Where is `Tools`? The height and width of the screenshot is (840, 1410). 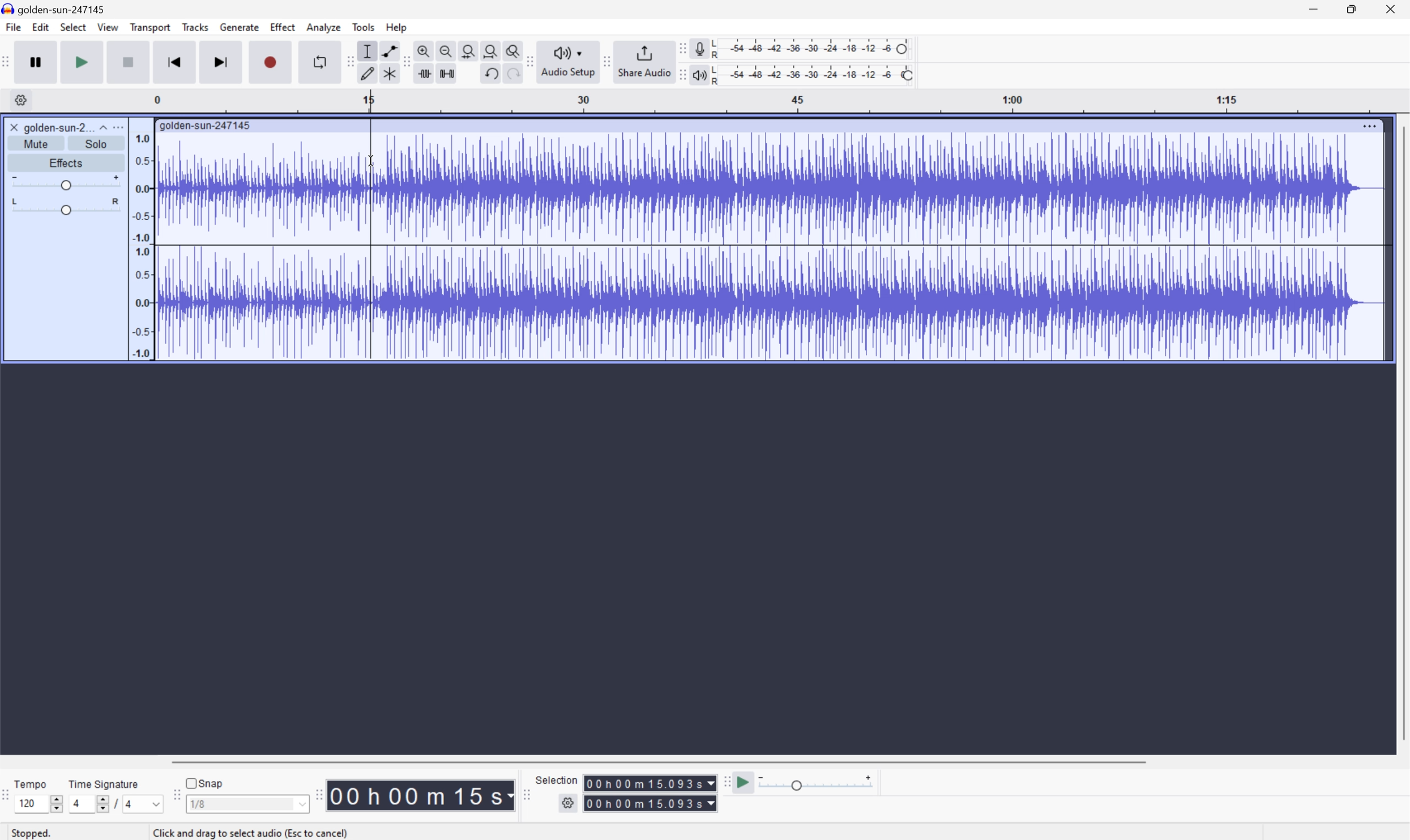 Tools is located at coordinates (364, 27).